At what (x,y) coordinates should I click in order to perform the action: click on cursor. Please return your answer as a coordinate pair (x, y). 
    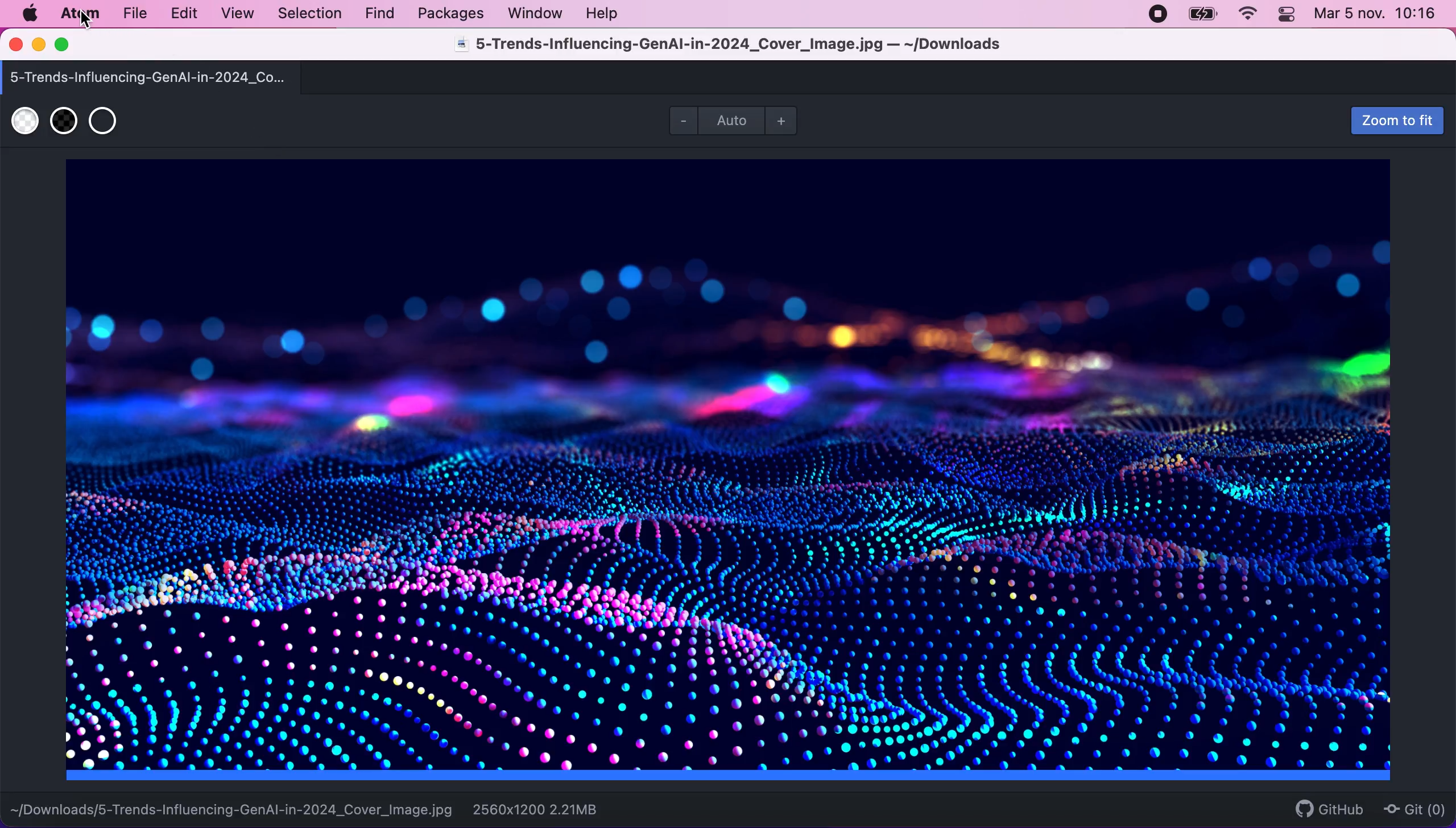
    Looking at the image, I should click on (85, 19).